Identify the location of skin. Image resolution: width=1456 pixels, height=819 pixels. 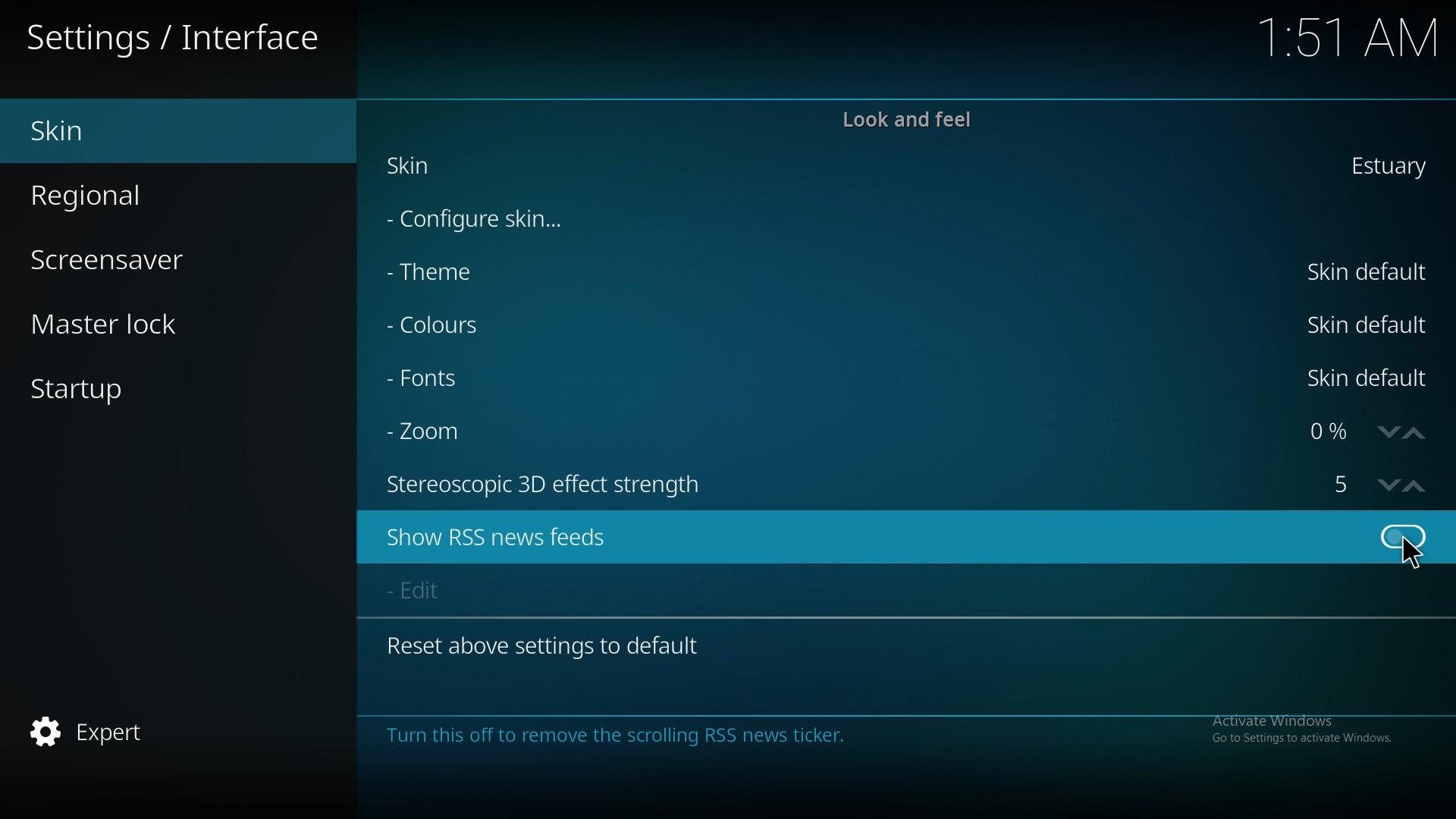
(420, 168).